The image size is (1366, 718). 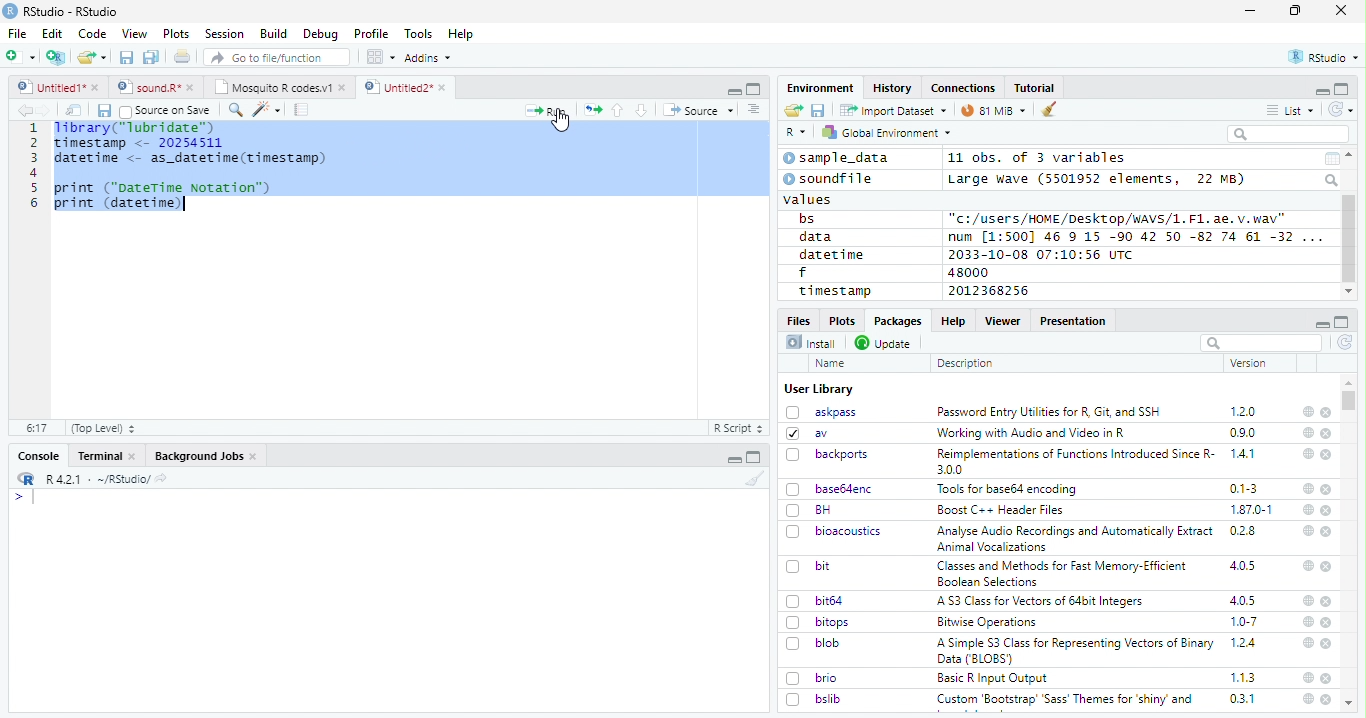 What do you see at coordinates (1050, 110) in the screenshot?
I see `clear workspace` at bounding box center [1050, 110].